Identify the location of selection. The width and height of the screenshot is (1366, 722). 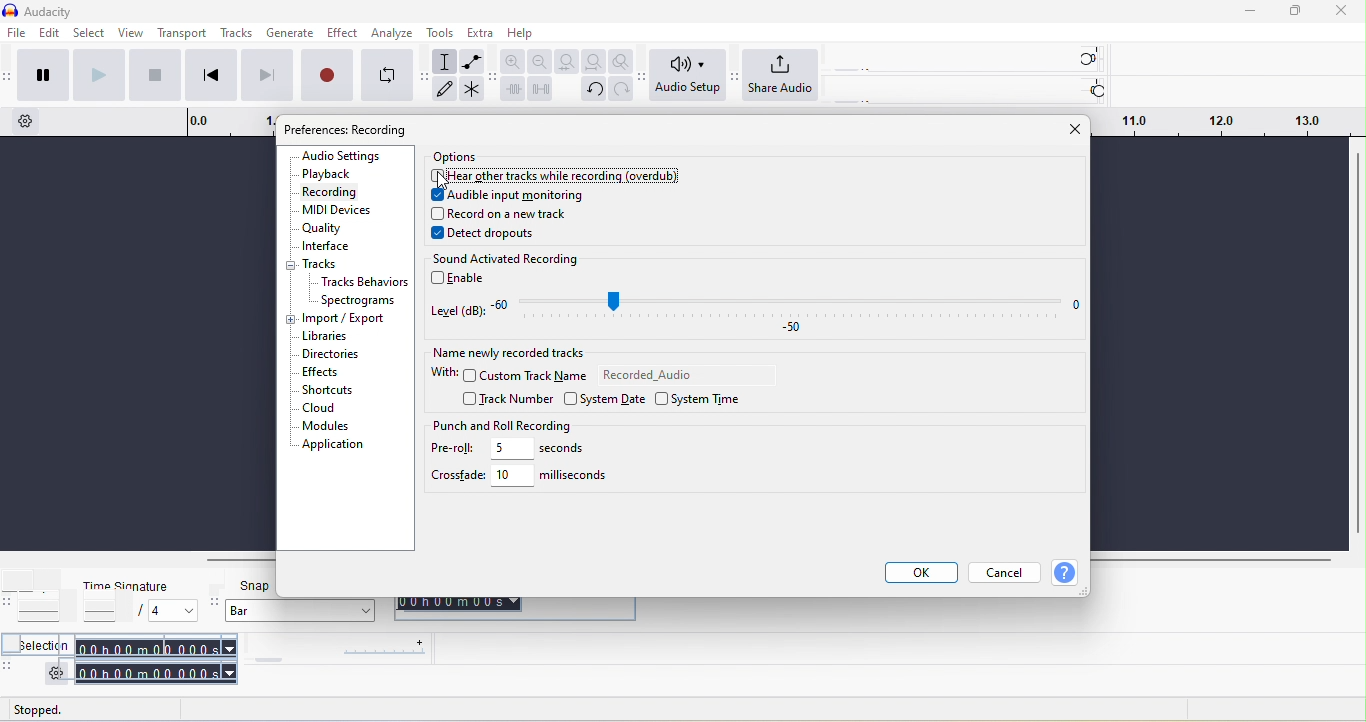
(46, 661).